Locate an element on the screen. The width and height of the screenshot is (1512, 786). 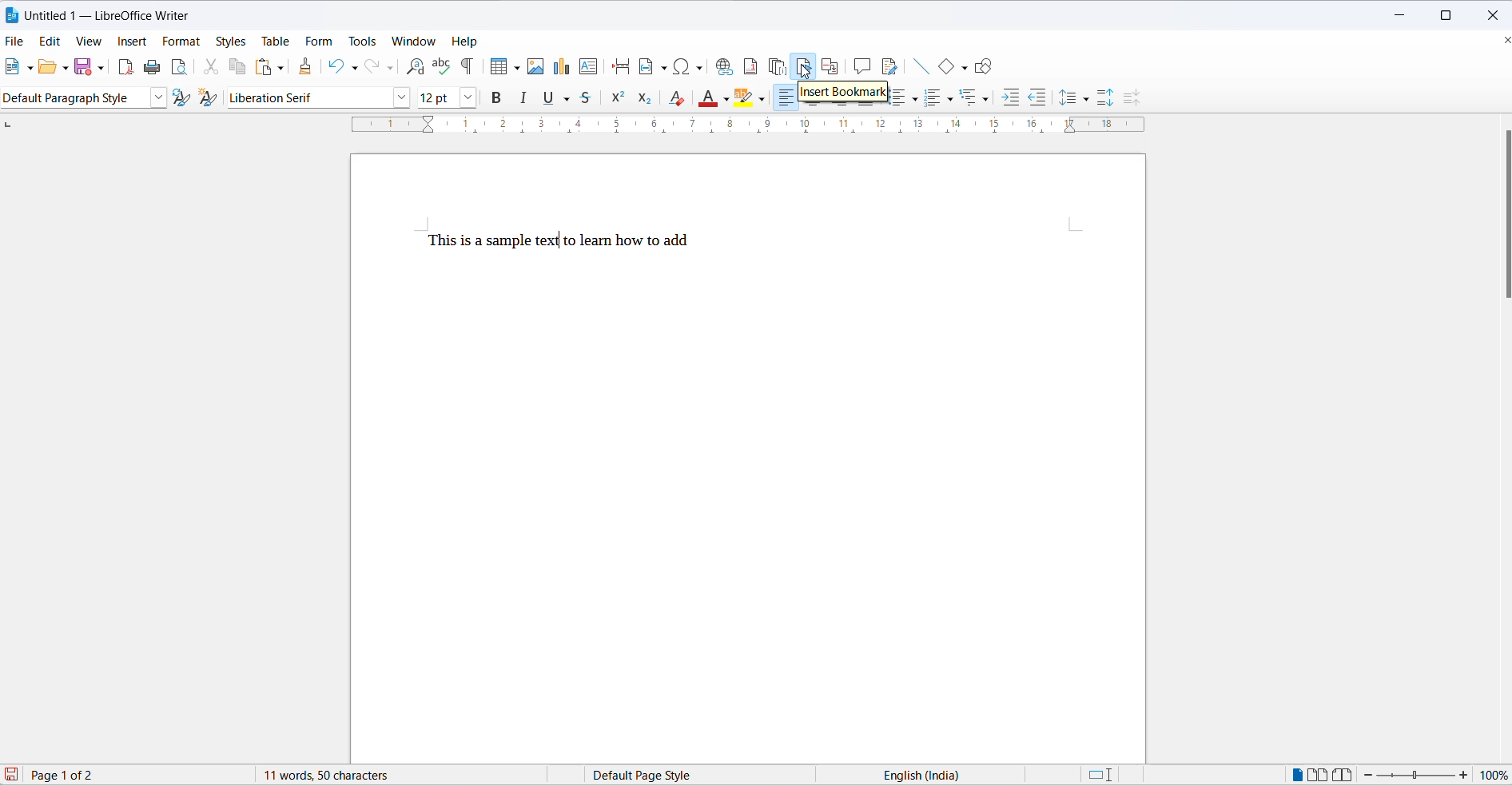
cut is located at coordinates (215, 67).